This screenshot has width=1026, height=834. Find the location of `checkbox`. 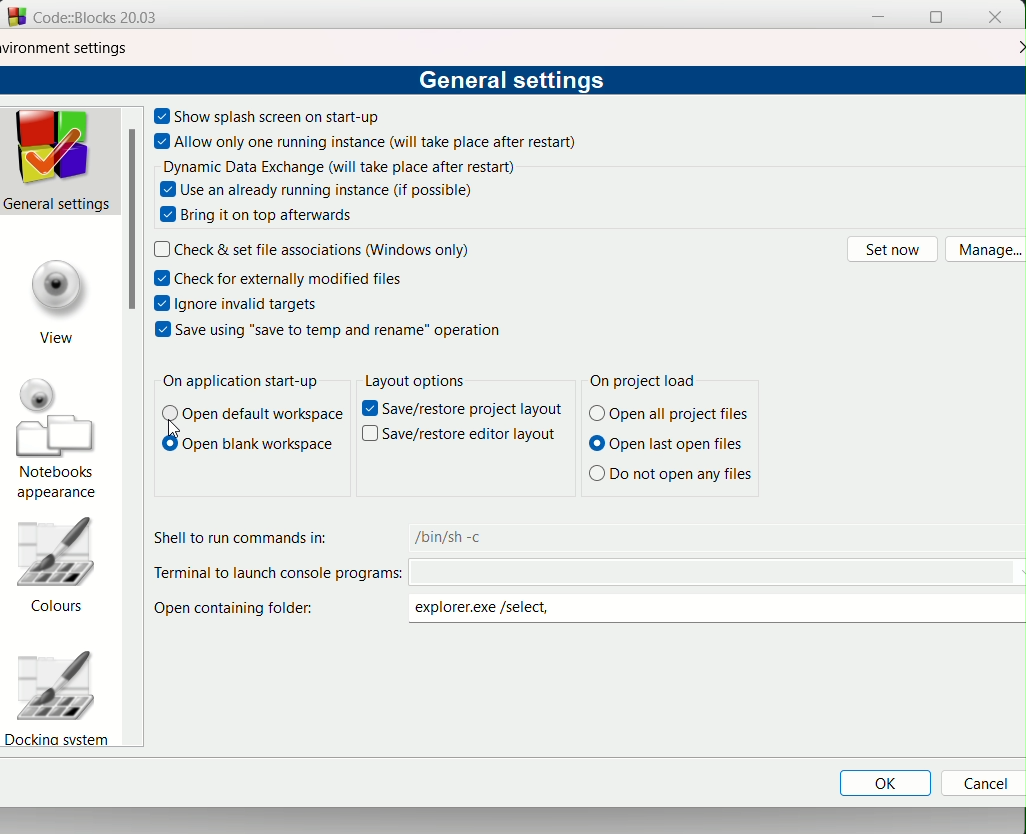

checkbox is located at coordinates (163, 142).